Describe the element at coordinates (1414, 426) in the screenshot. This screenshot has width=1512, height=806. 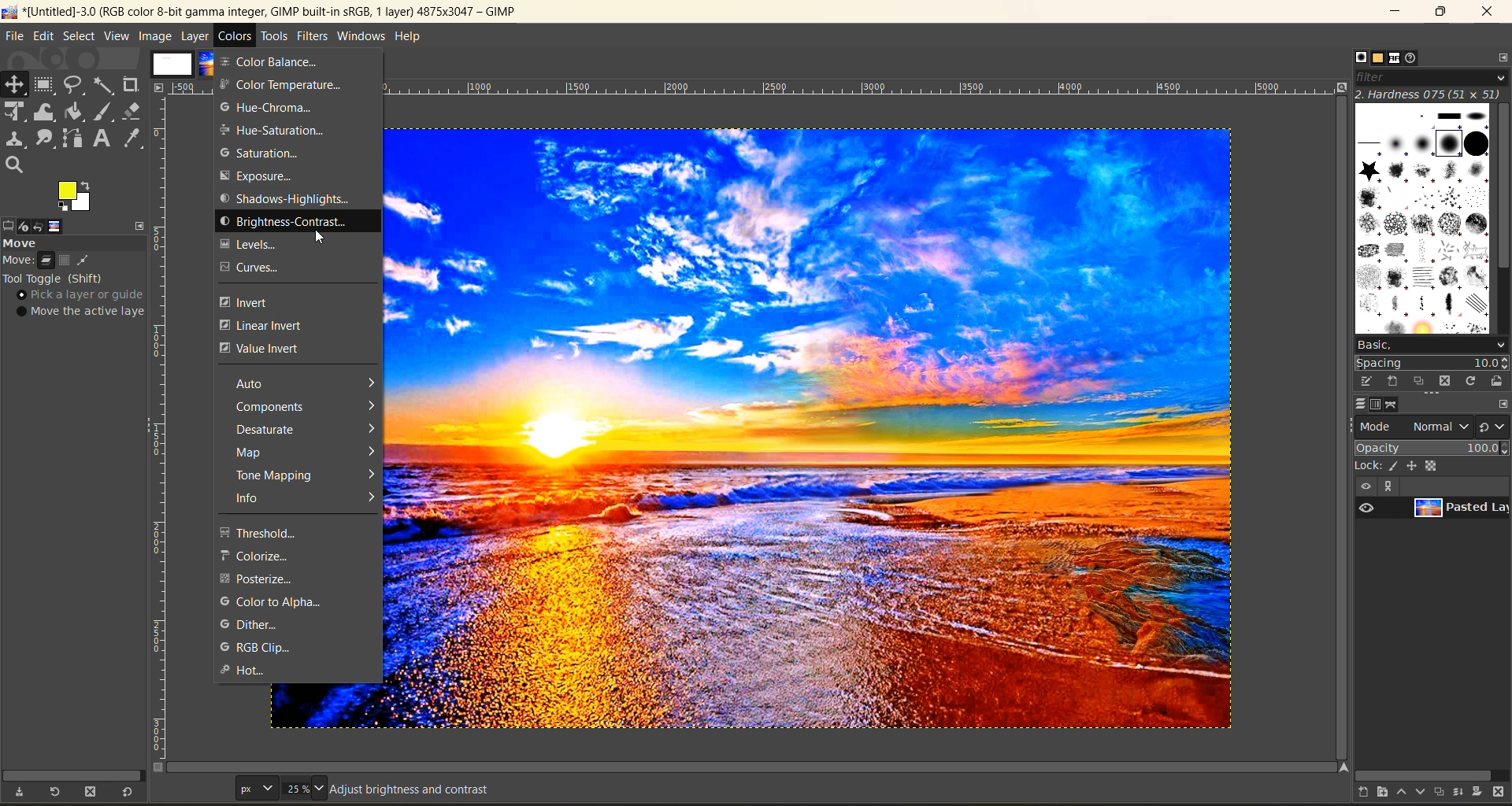
I see `mode` at that location.